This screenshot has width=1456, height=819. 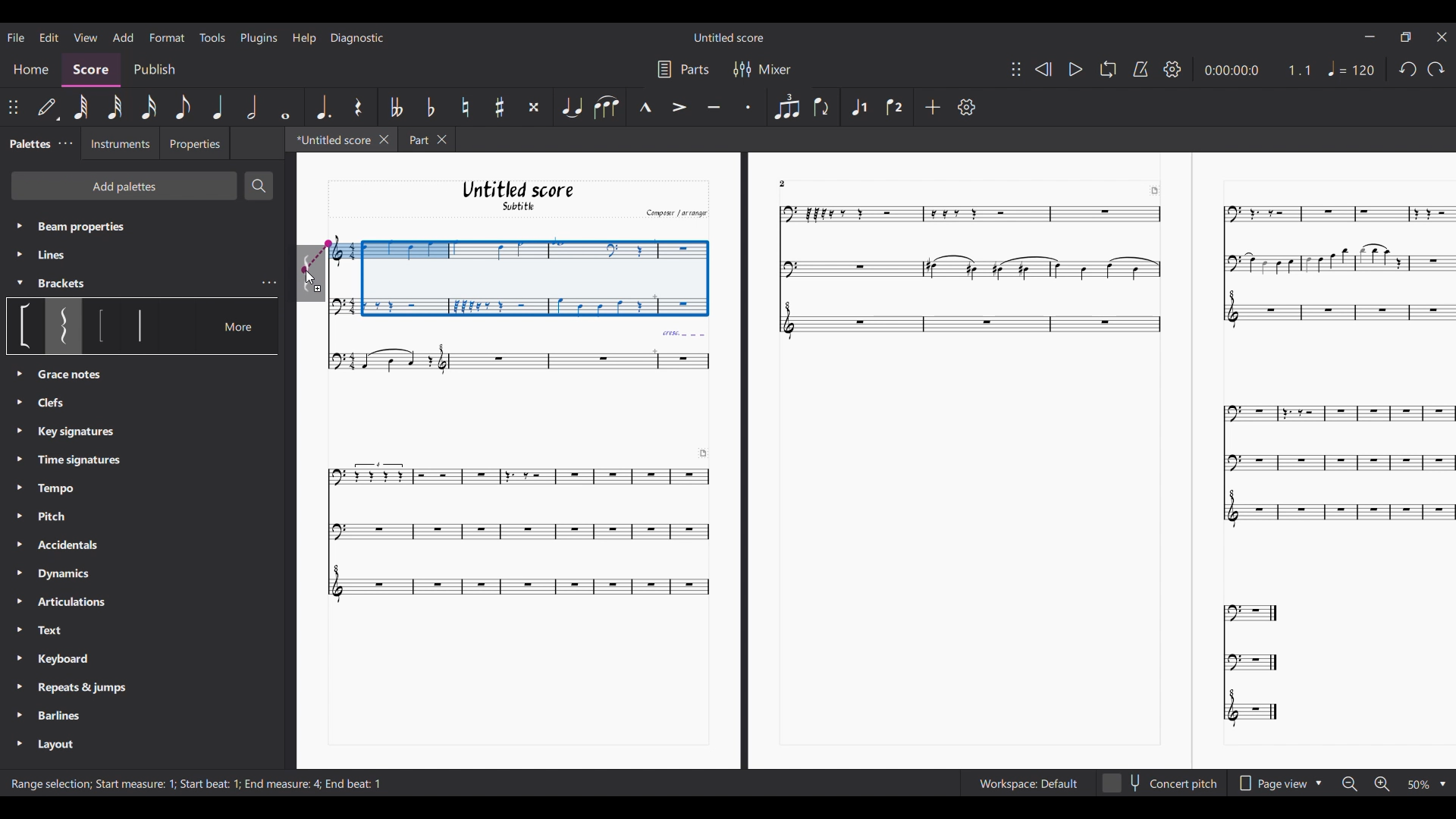 What do you see at coordinates (1321, 782) in the screenshot?
I see `Drop down` at bounding box center [1321, 782].